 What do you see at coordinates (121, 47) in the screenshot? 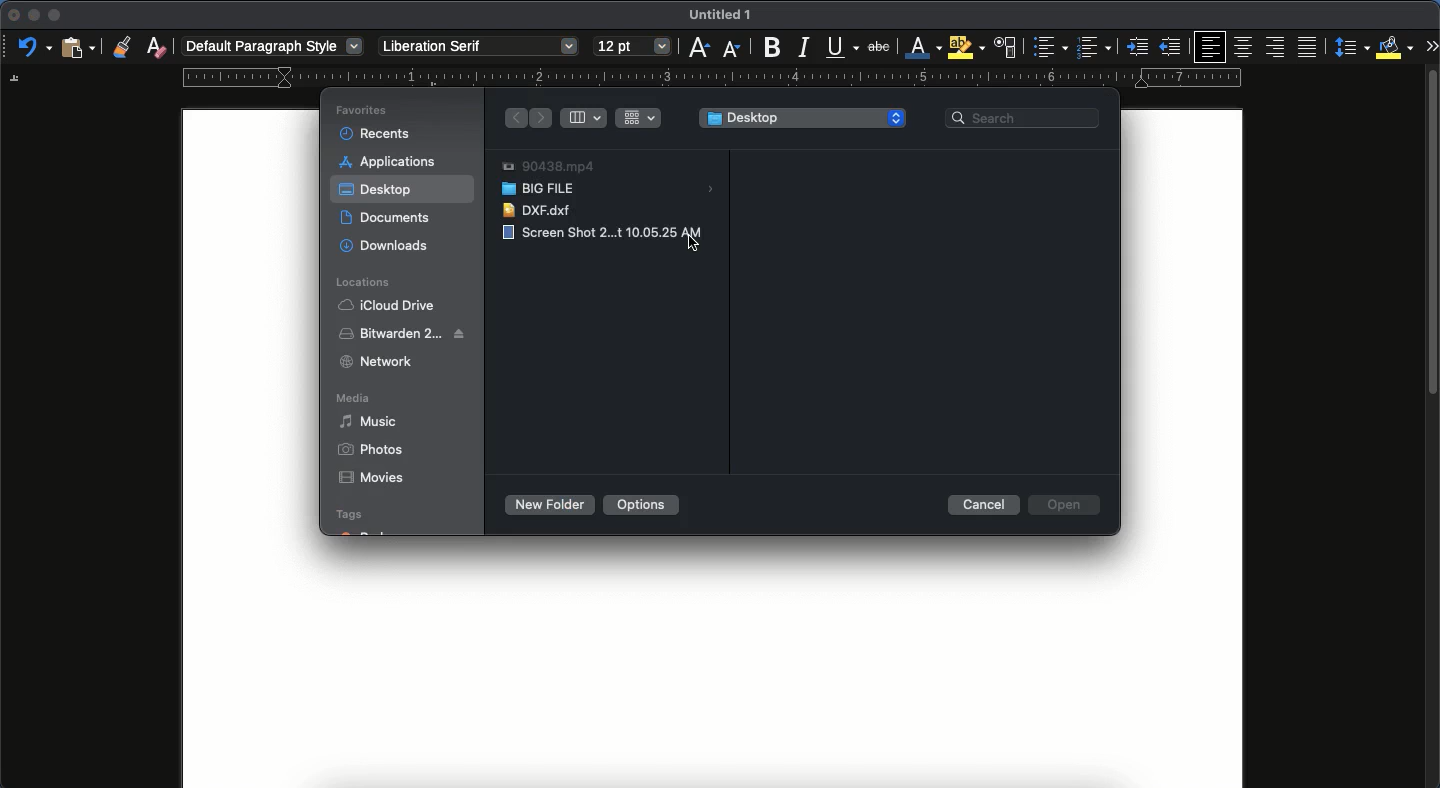
I see `clone formatting` at bounding box center [121, 47].